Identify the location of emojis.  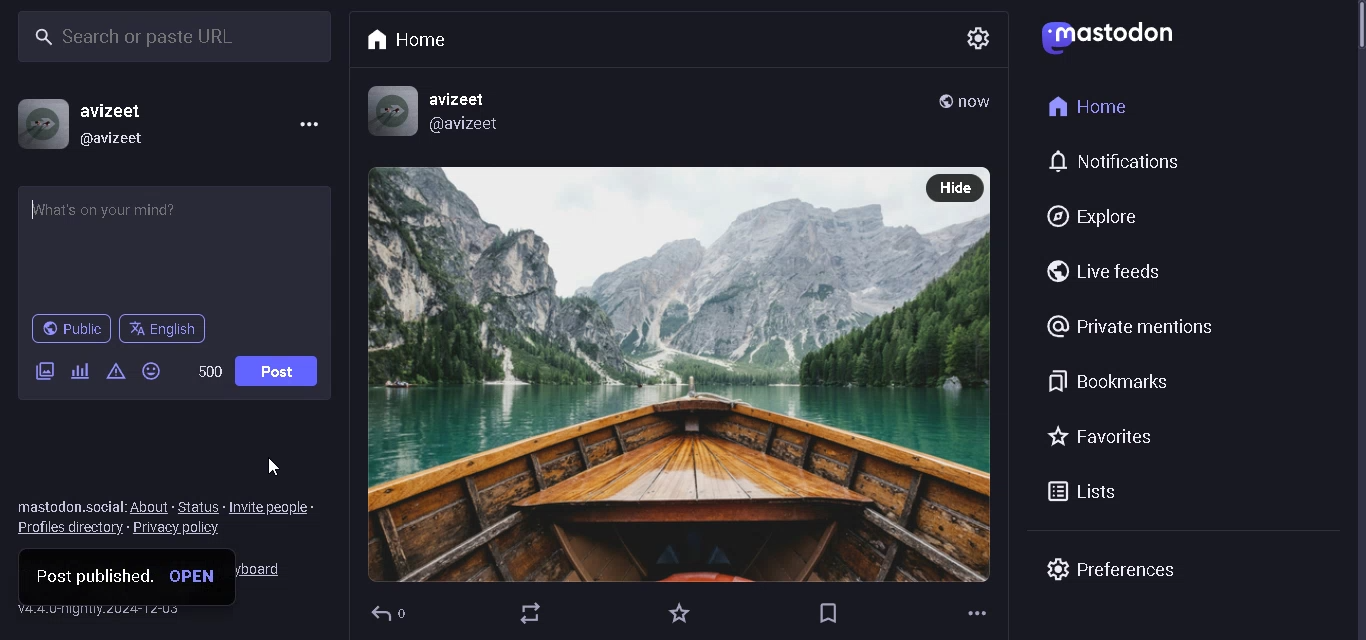
(154, 372).